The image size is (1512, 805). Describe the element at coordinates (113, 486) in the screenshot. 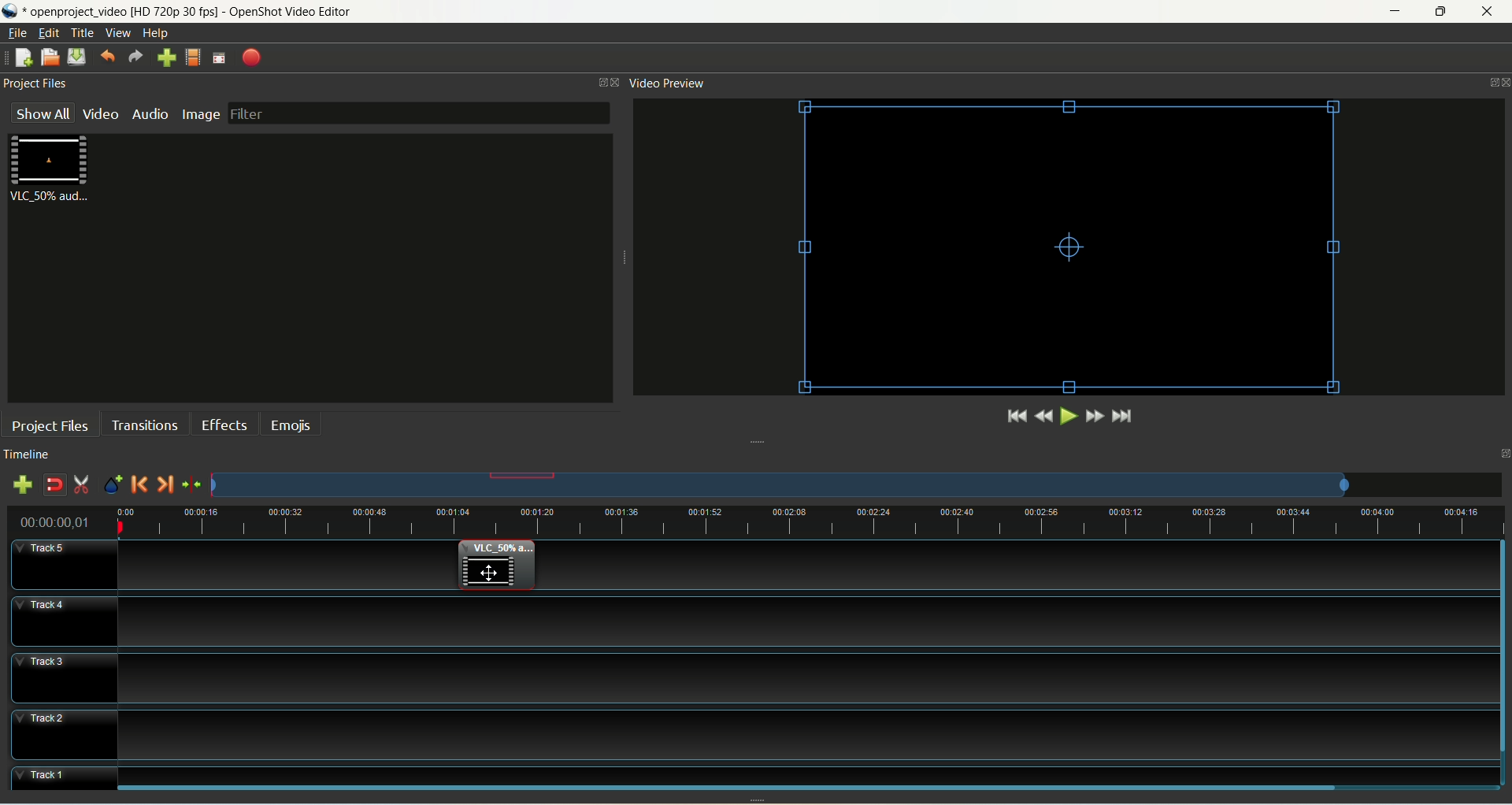

I see `add marker` at that location.